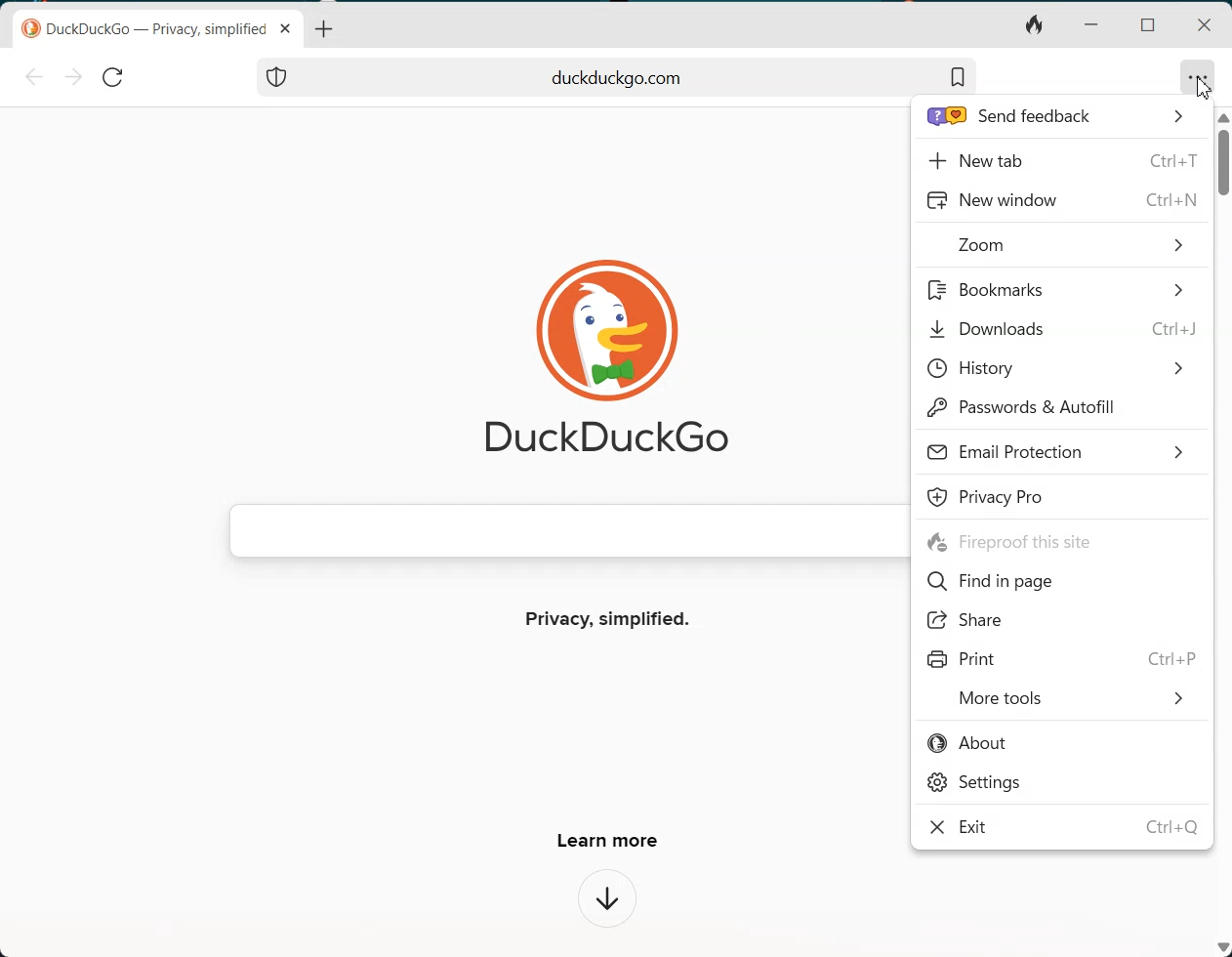 Image resolution: width=1232 pixels, height=957 pixels. Describe the element at coordinates (608, 837) in the screenshot. I see `Learn more` at that location.